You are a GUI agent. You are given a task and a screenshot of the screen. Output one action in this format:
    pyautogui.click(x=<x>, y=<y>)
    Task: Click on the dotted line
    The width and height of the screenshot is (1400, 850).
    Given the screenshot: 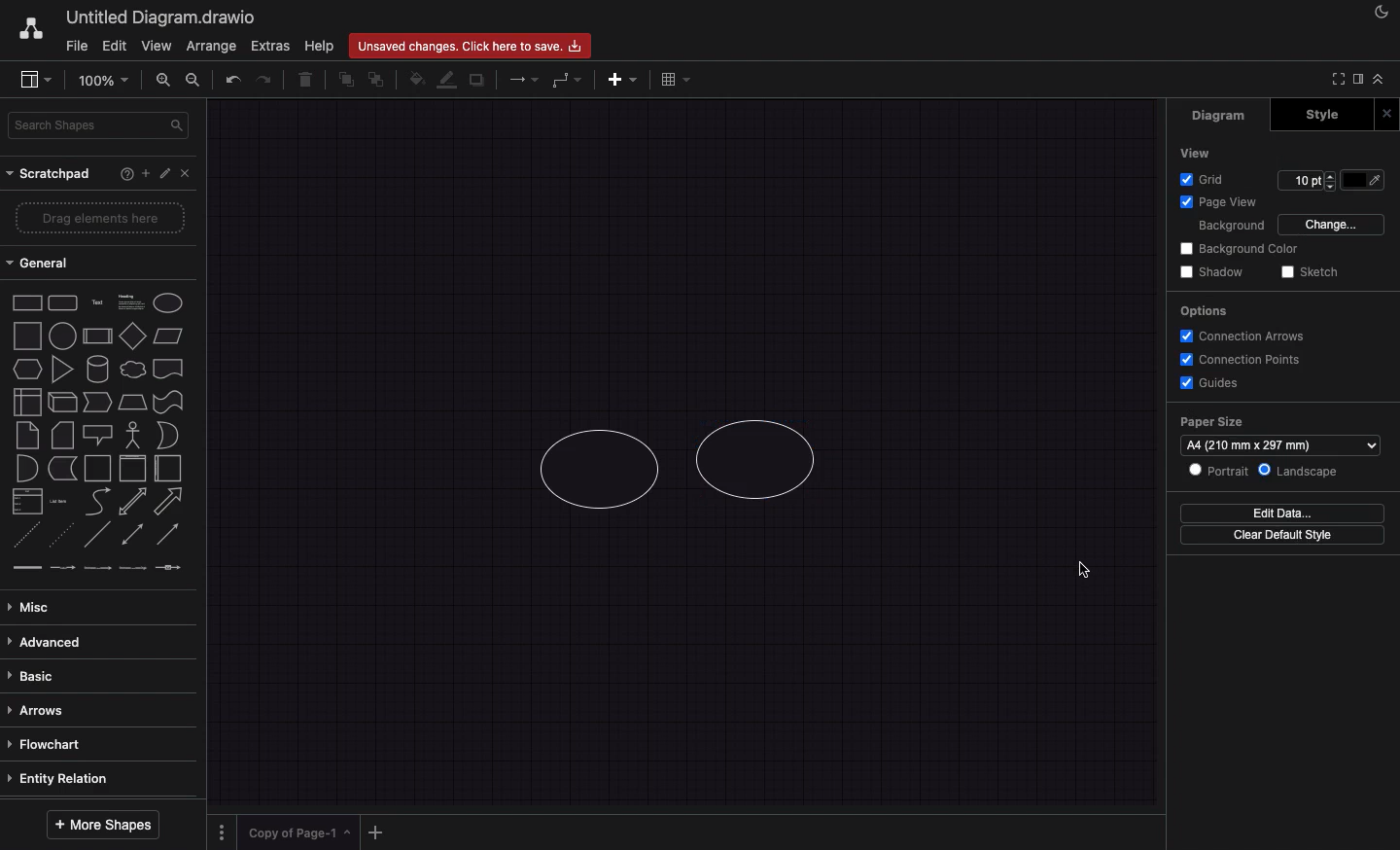 What is the action you would take?
    pyautogui.click(x=63, y=534)
    